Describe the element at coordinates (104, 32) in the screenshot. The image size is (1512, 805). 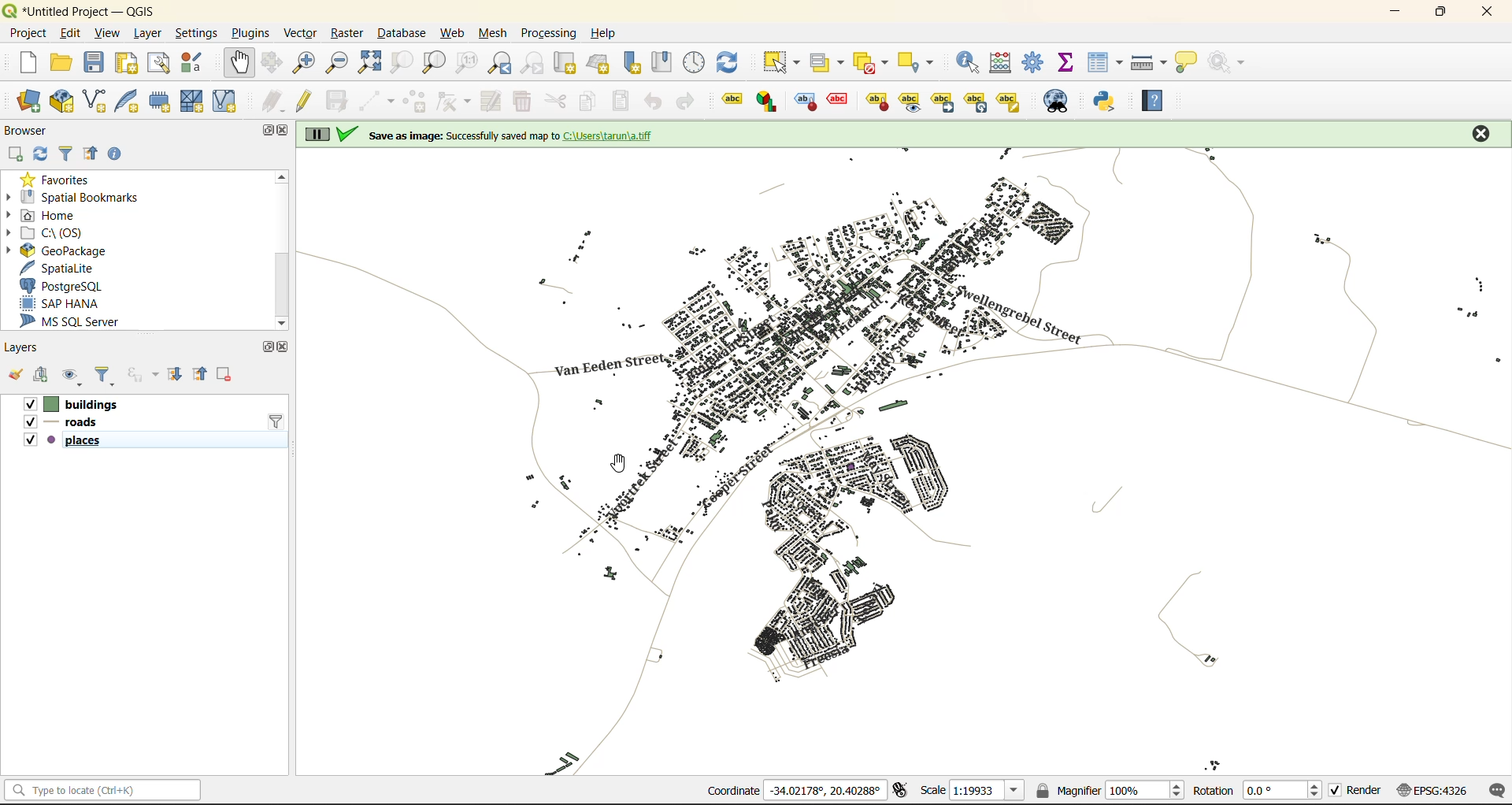
I see `view` at that location.